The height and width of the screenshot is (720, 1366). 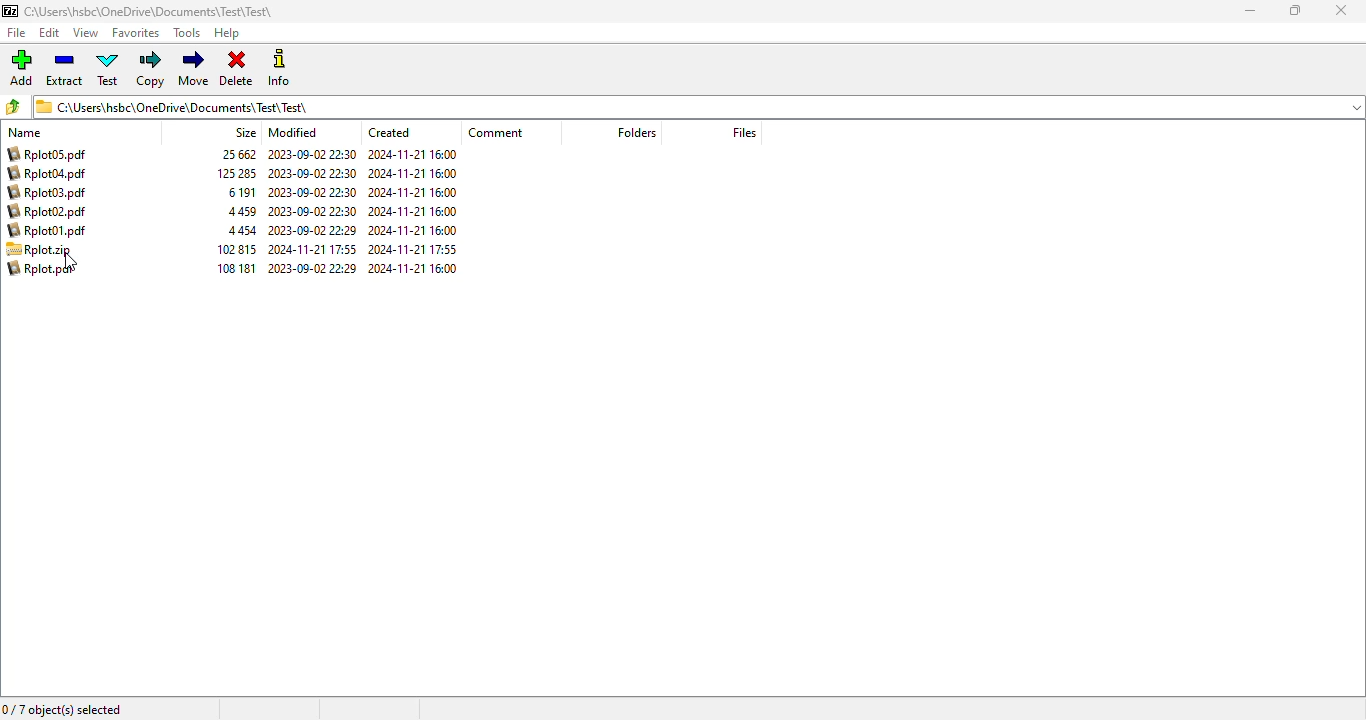 I want to click on 2023-09-02 22:30, so click(x=311, y=154).